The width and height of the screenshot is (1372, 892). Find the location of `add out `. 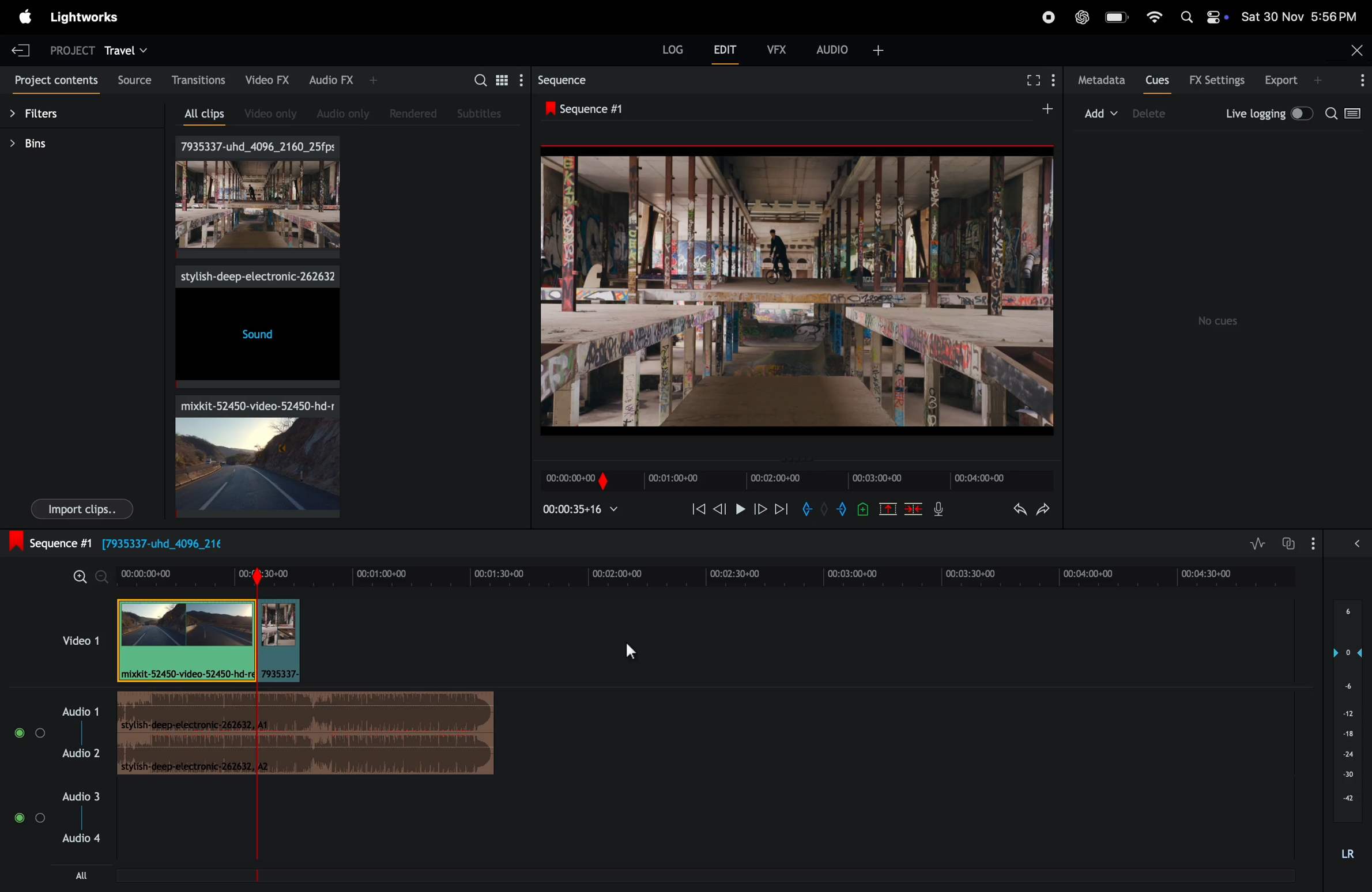

add out  is located at coordinates (839, 511).